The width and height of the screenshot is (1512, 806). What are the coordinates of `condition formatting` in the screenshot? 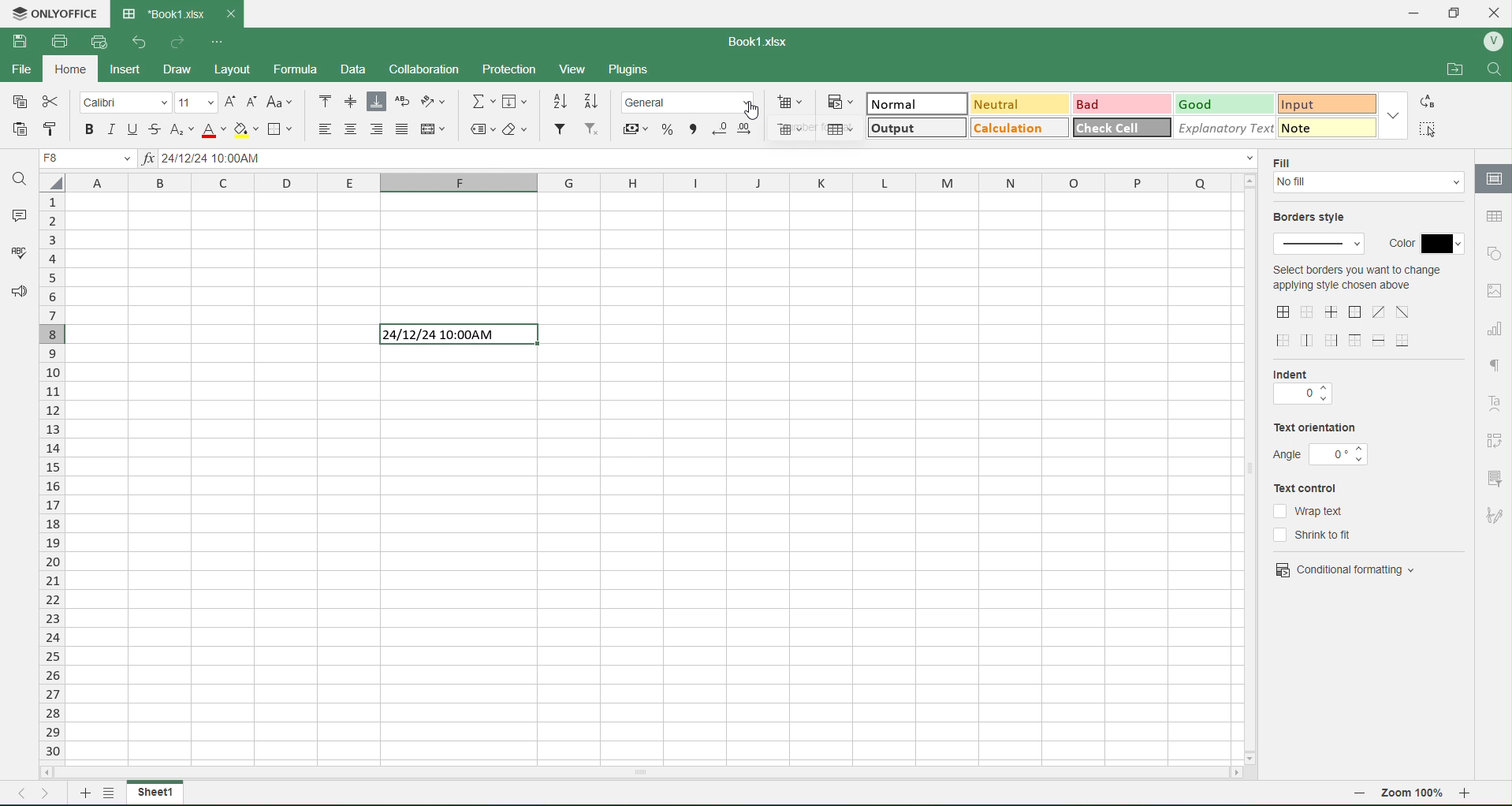 It's located at (1346, 568).